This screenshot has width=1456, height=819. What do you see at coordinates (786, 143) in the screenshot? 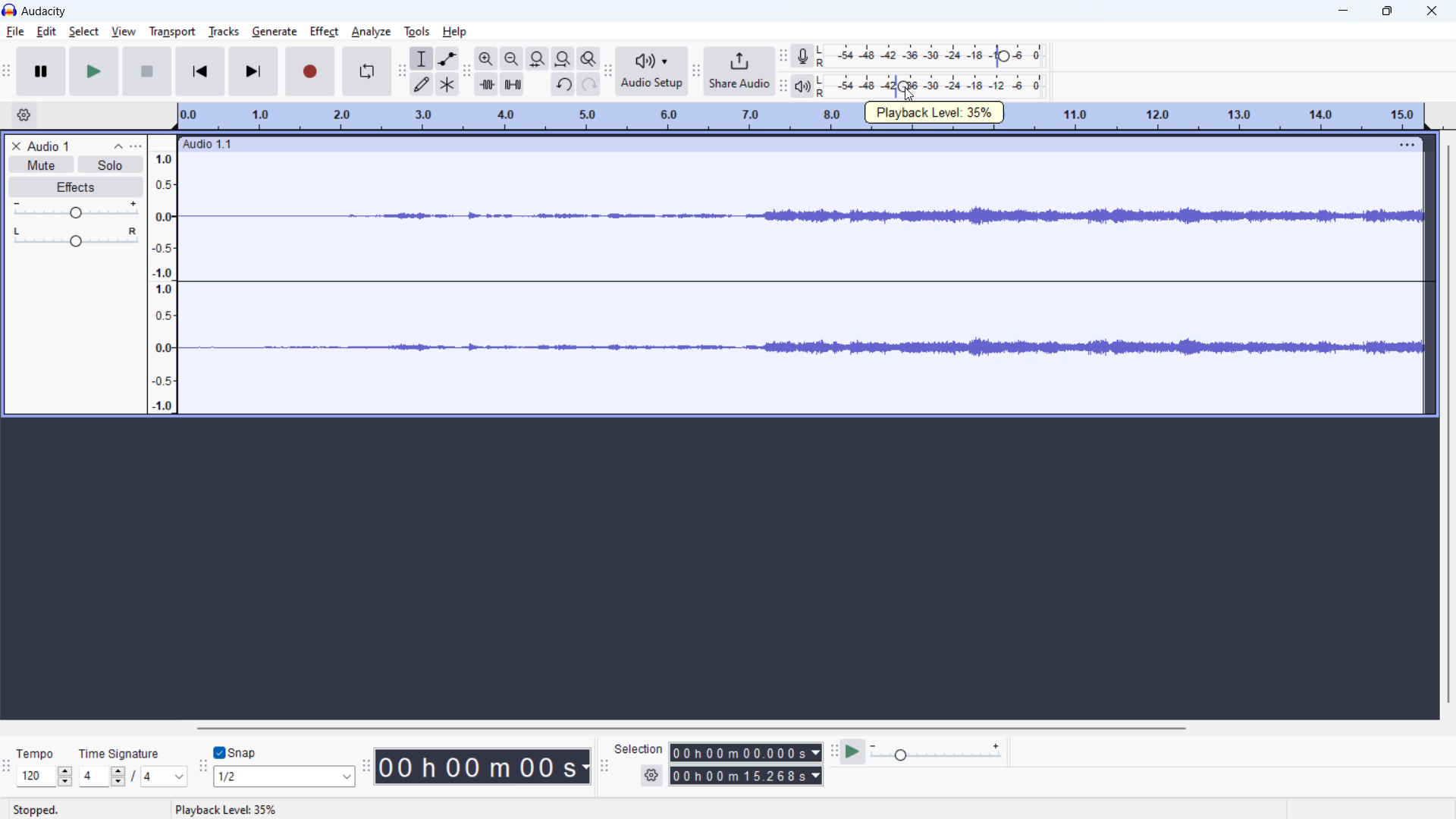
I see `hold to move` at bounding box center [786, 143].